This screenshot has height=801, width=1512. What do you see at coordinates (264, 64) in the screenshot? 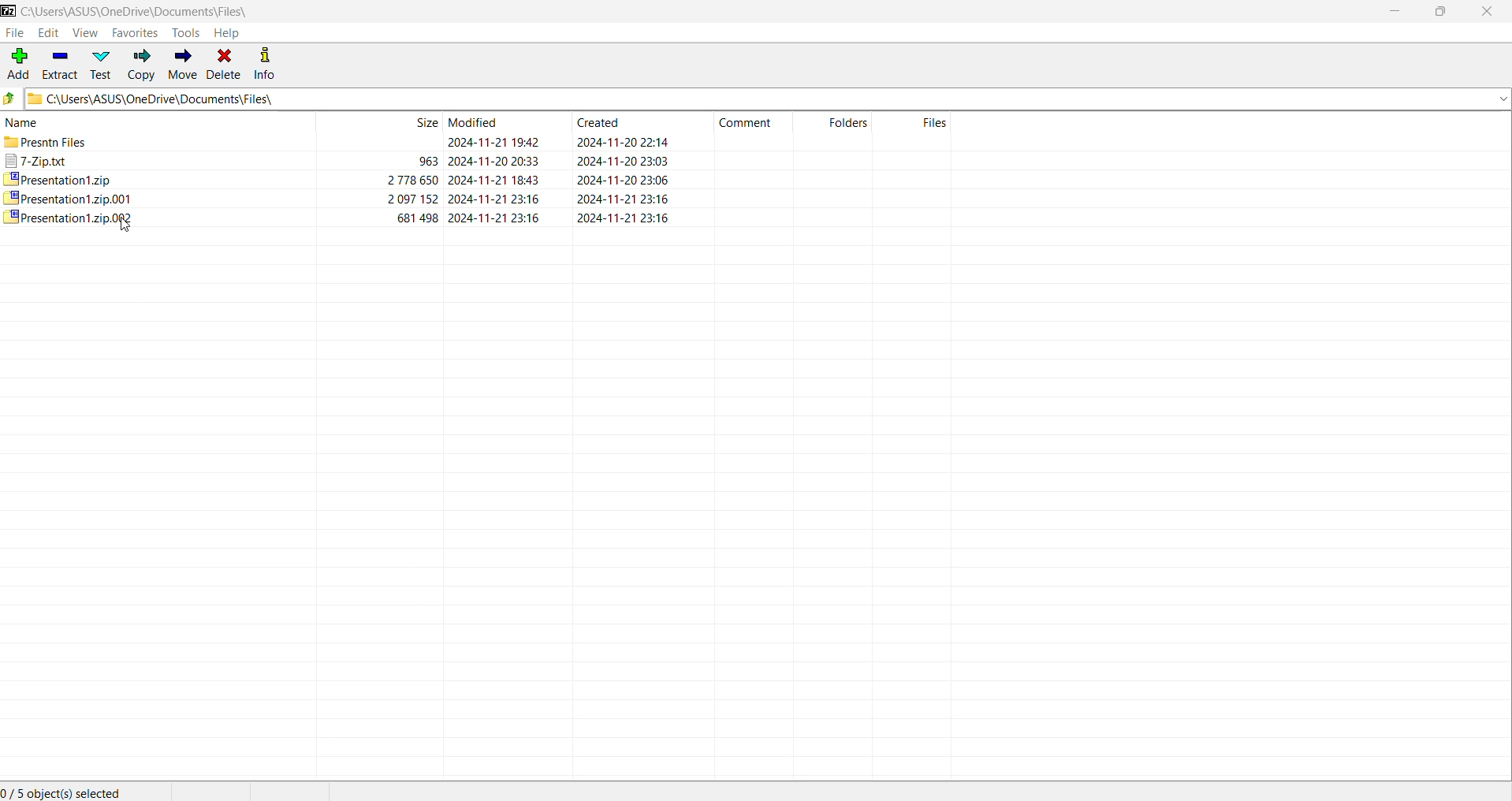
I see `Info` at bounding box center [264, 64].